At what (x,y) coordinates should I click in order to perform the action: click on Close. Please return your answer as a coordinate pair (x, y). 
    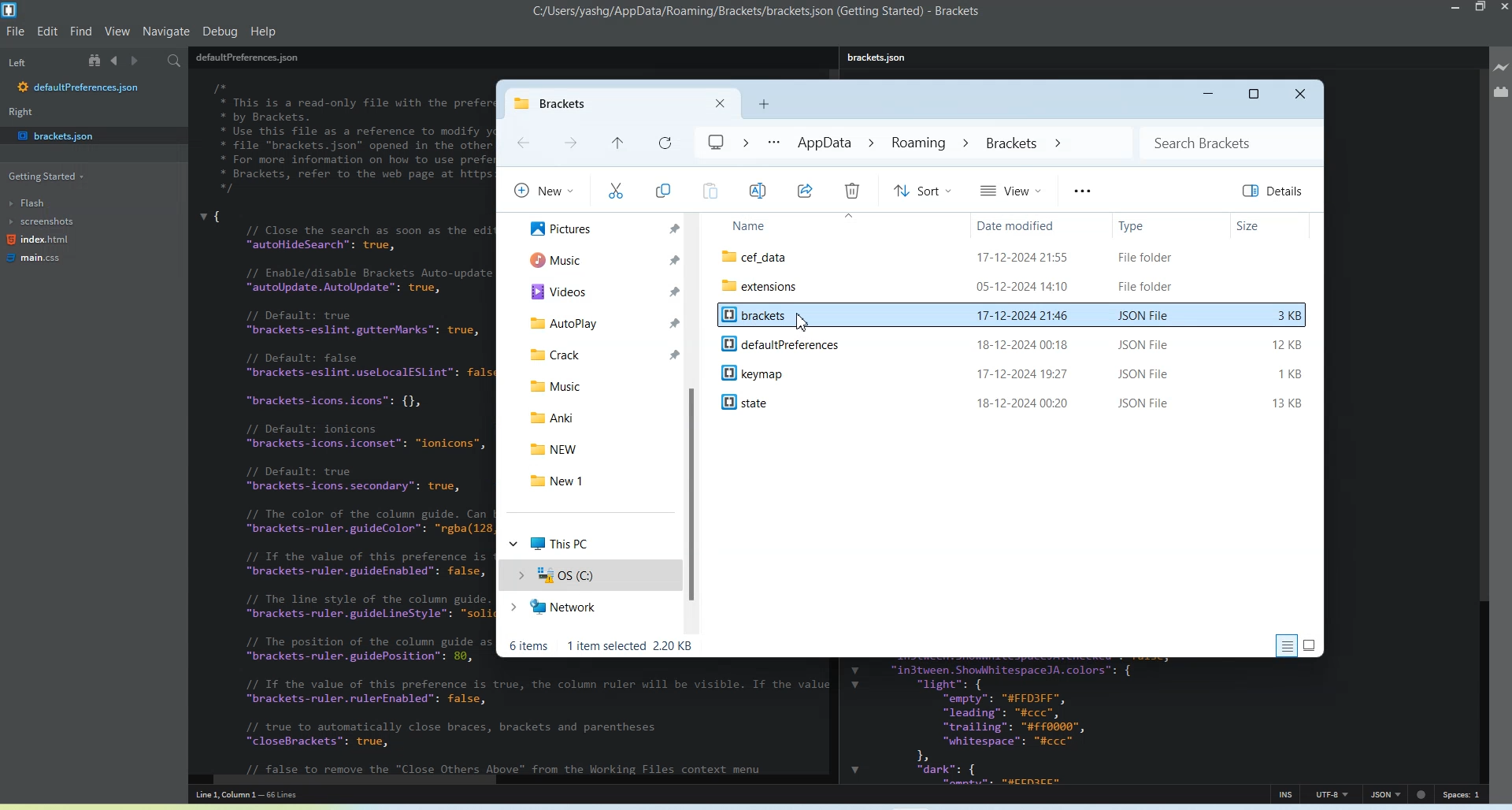
    Looking at the image, I should click on (1503, 9).